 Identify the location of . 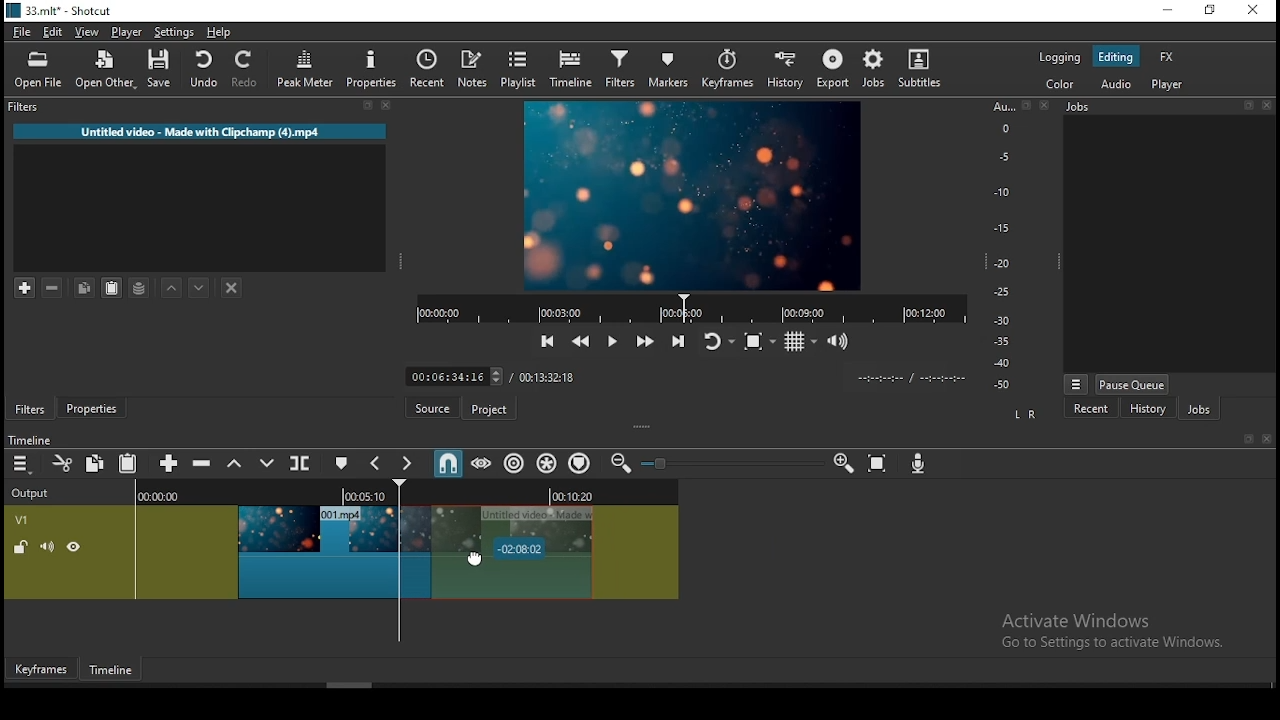
(1025, 106).